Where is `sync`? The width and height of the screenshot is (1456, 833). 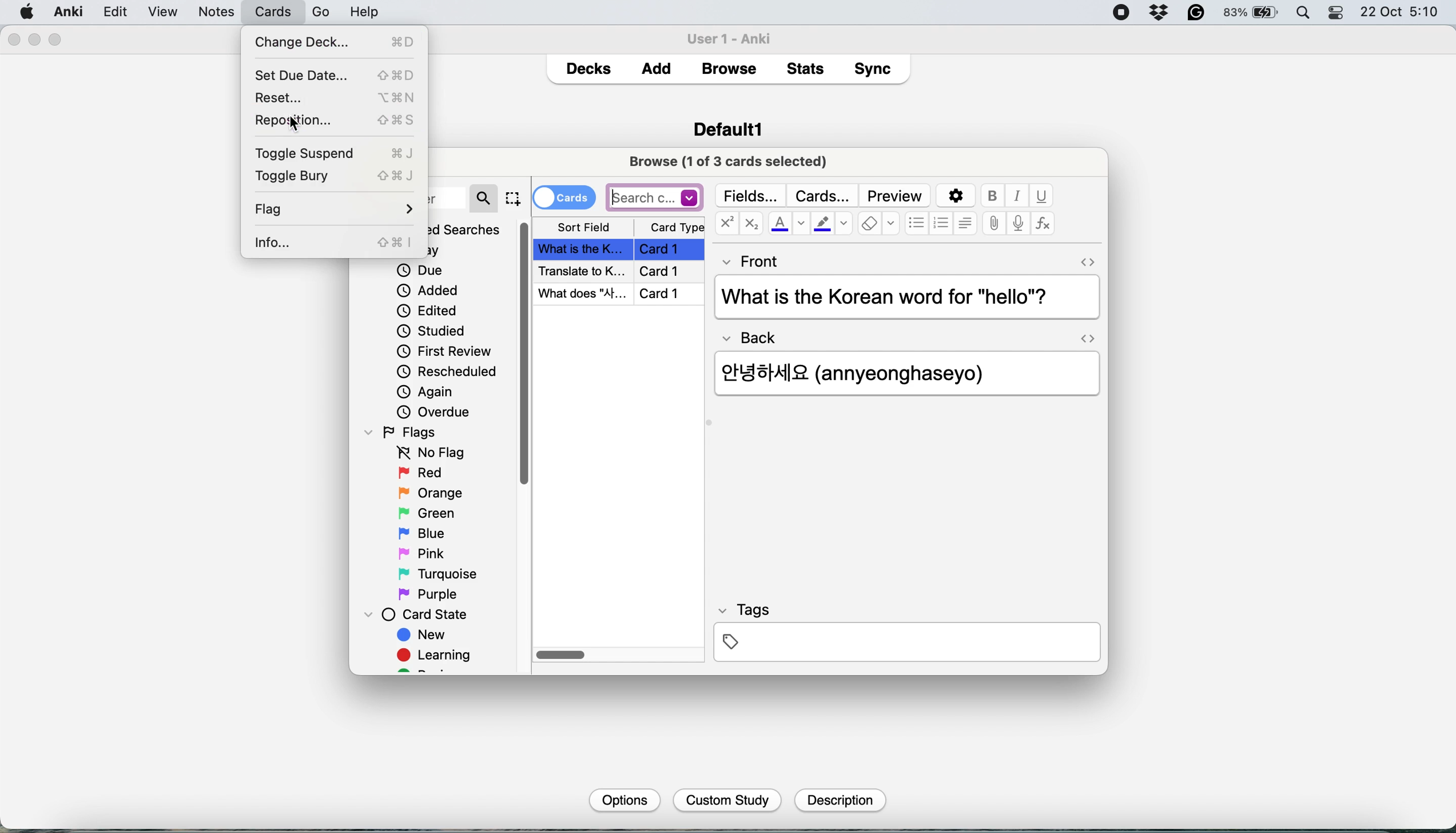
sync is located at coordinates (876, 71).